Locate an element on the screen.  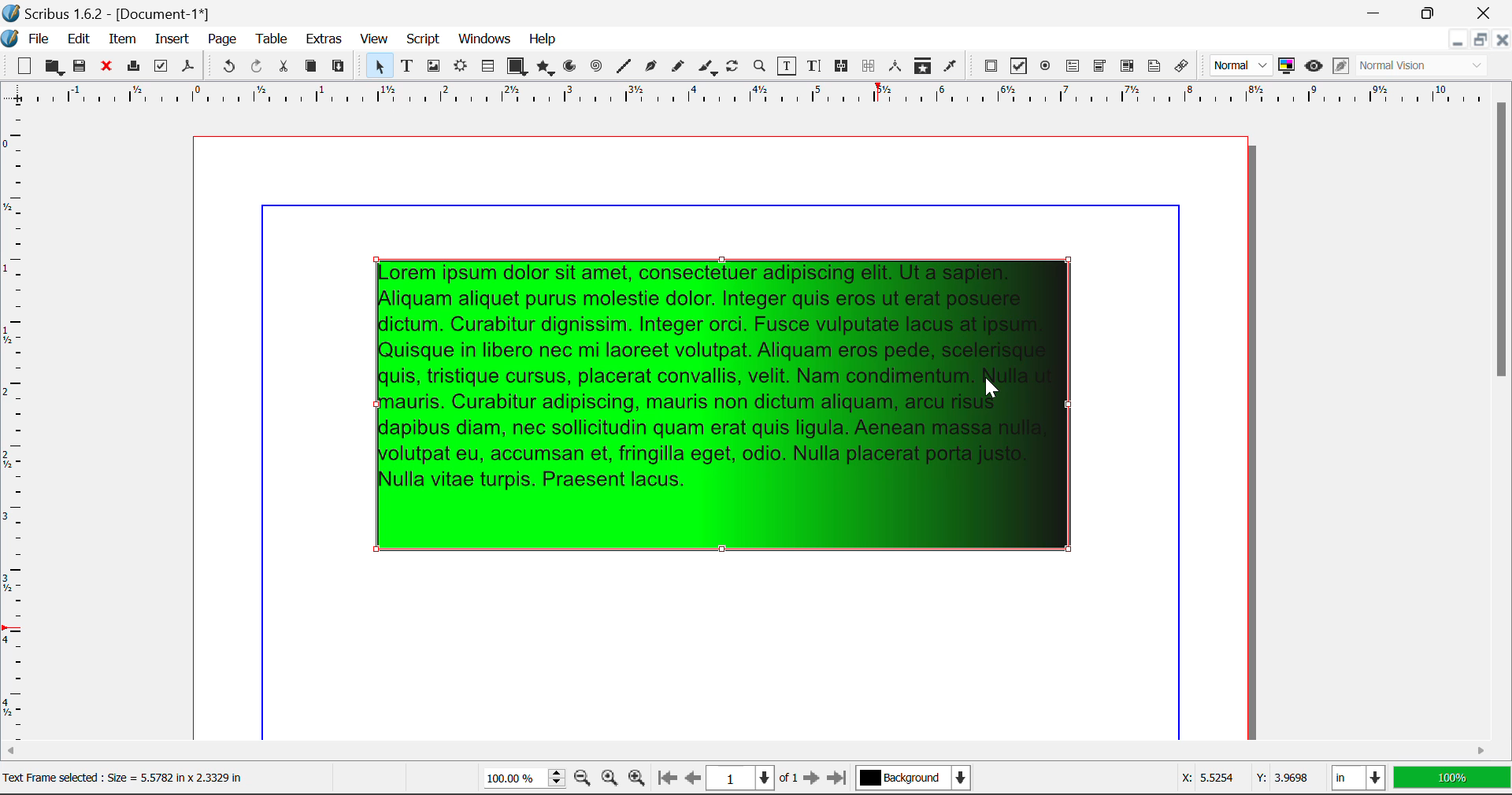
Visual Appearance Type is located at coordinates (1423, 67).